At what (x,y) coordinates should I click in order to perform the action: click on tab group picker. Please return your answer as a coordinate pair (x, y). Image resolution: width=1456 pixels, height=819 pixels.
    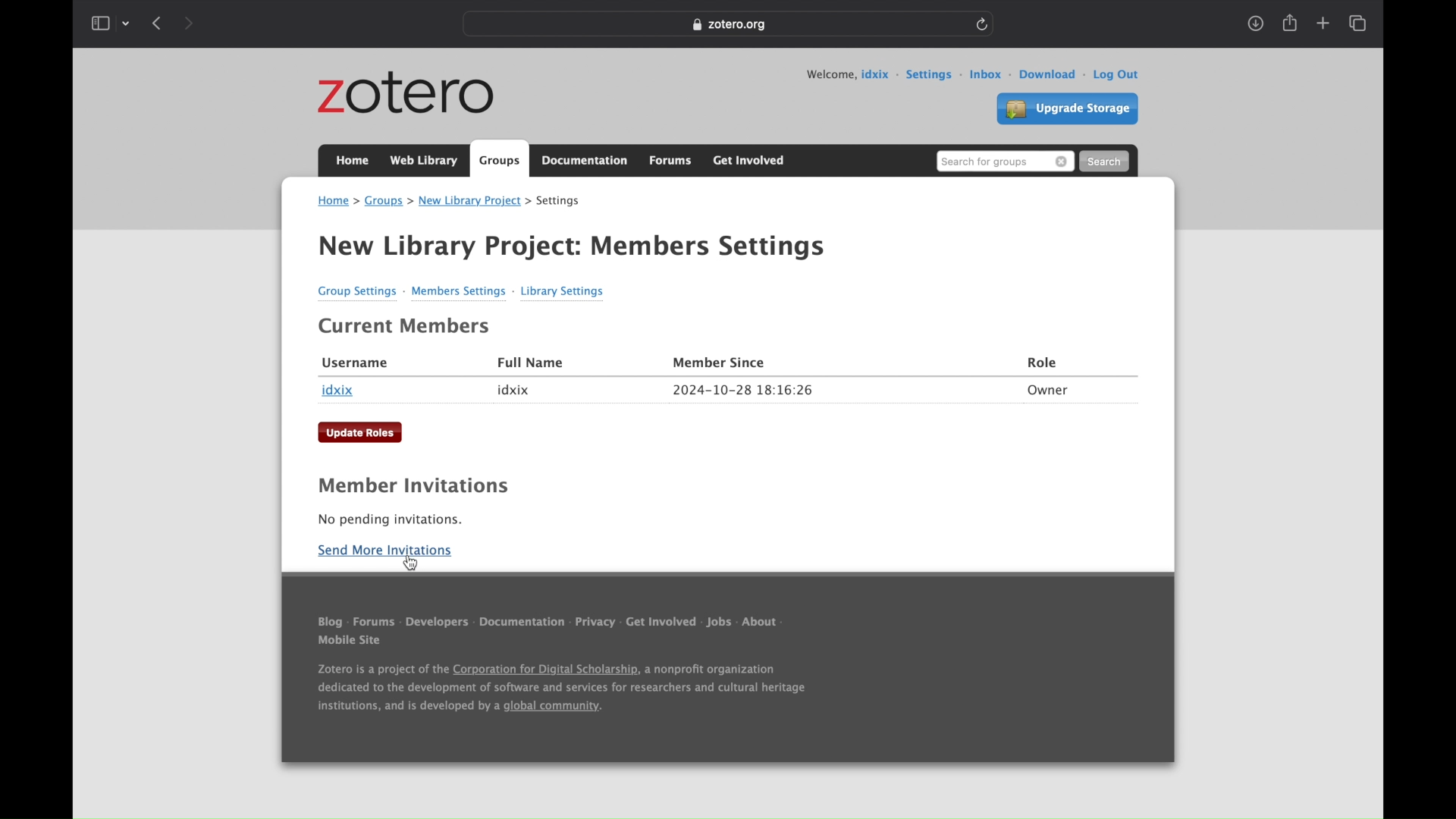
    Looking at the image, I should click on (127, 23).